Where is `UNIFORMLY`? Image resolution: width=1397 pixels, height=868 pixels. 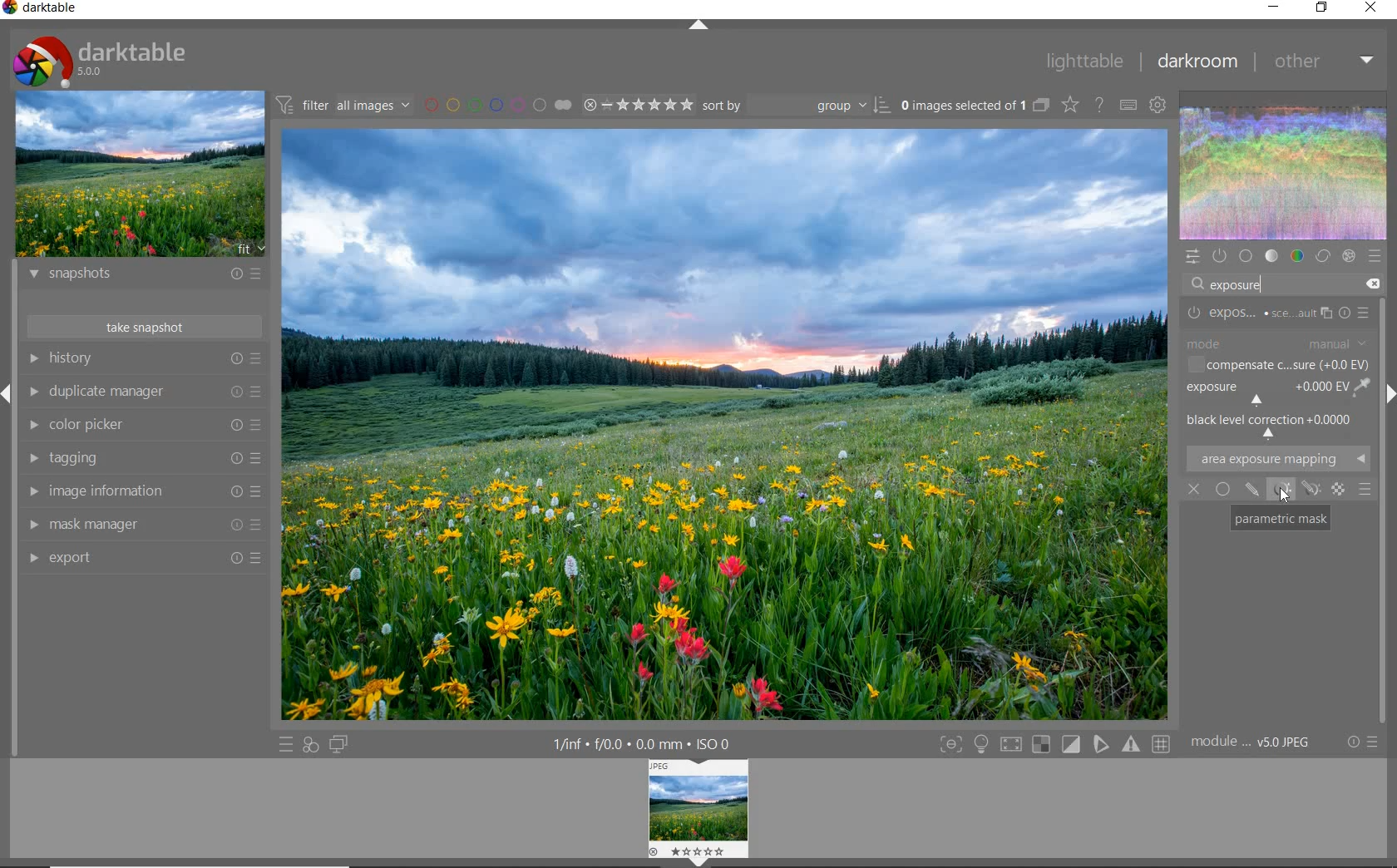 UNIFORMLY is located at coordinates (1223, 487).